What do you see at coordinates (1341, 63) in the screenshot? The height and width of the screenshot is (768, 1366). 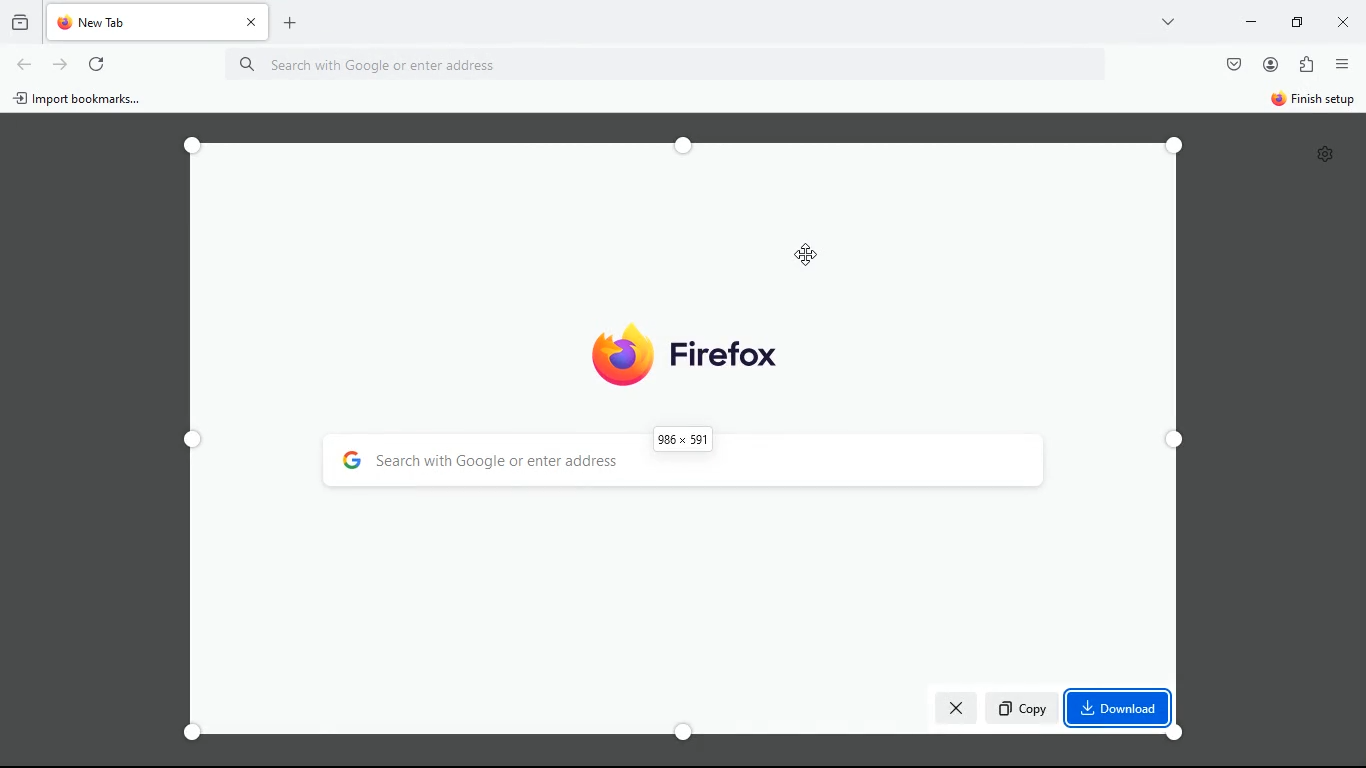 I see `menu` at bounding box center [1341, 63].